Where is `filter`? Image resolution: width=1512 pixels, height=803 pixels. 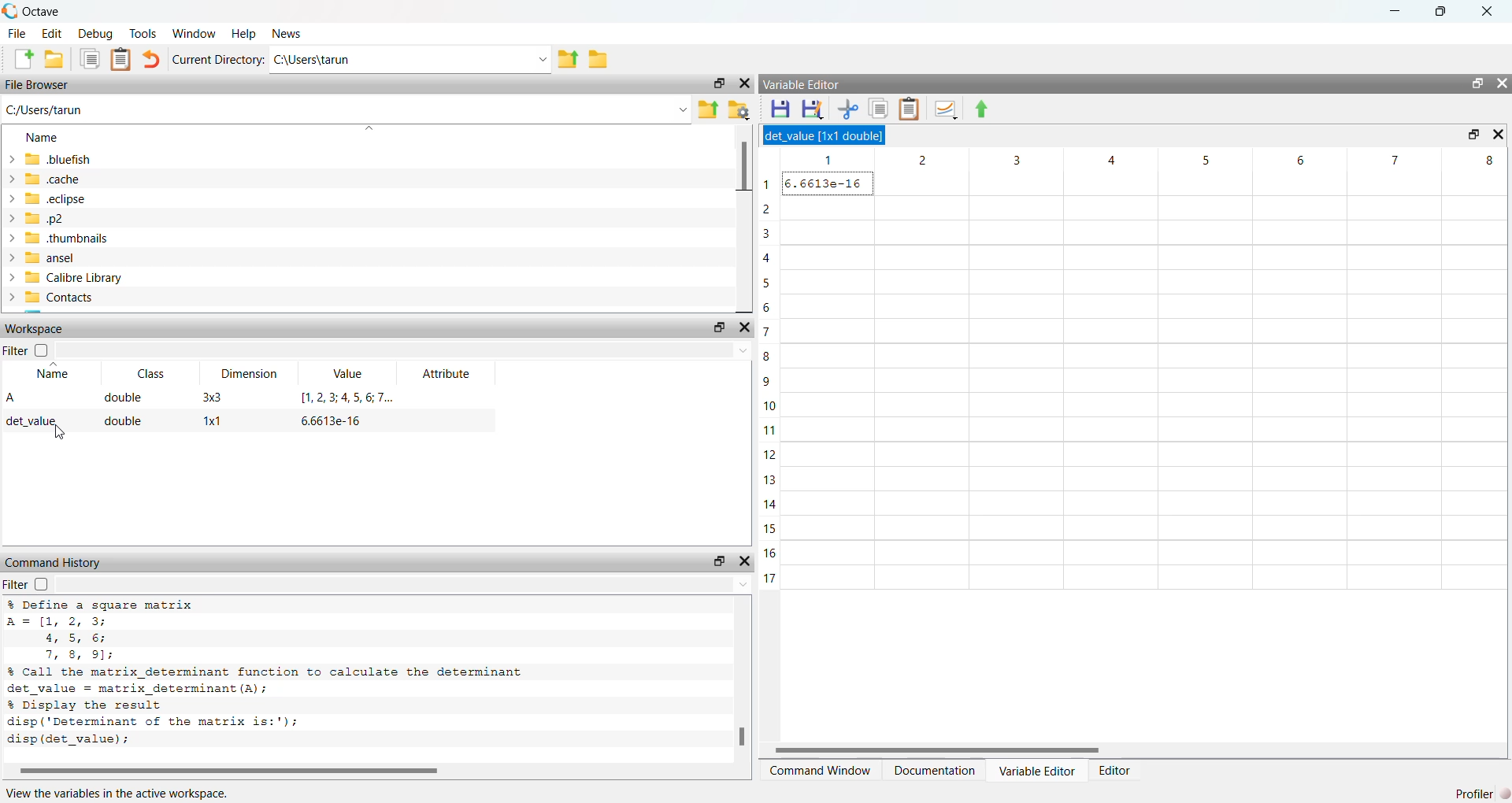 filter is located at coordinates (16, 350).